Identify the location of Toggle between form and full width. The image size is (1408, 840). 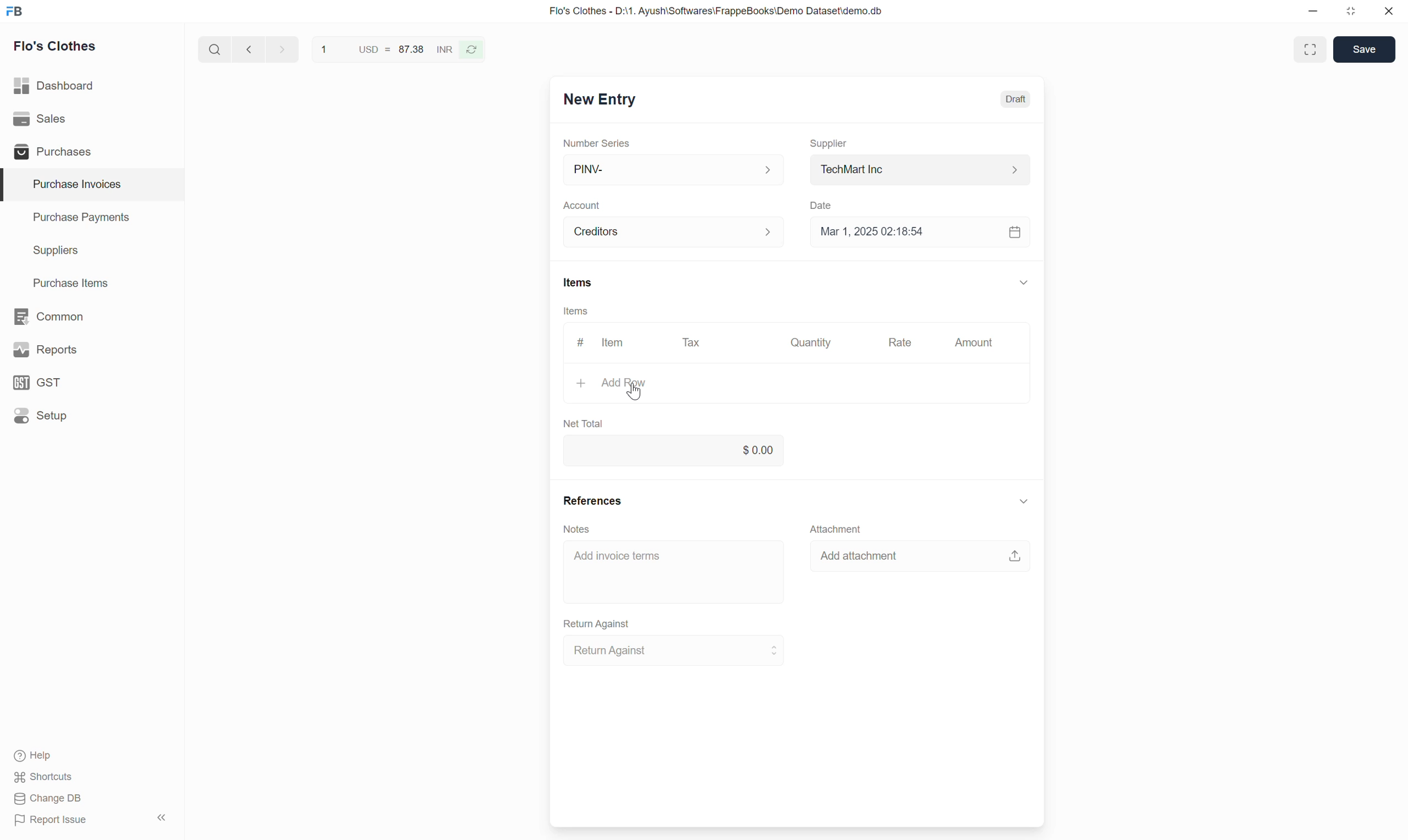
(1309, 49).